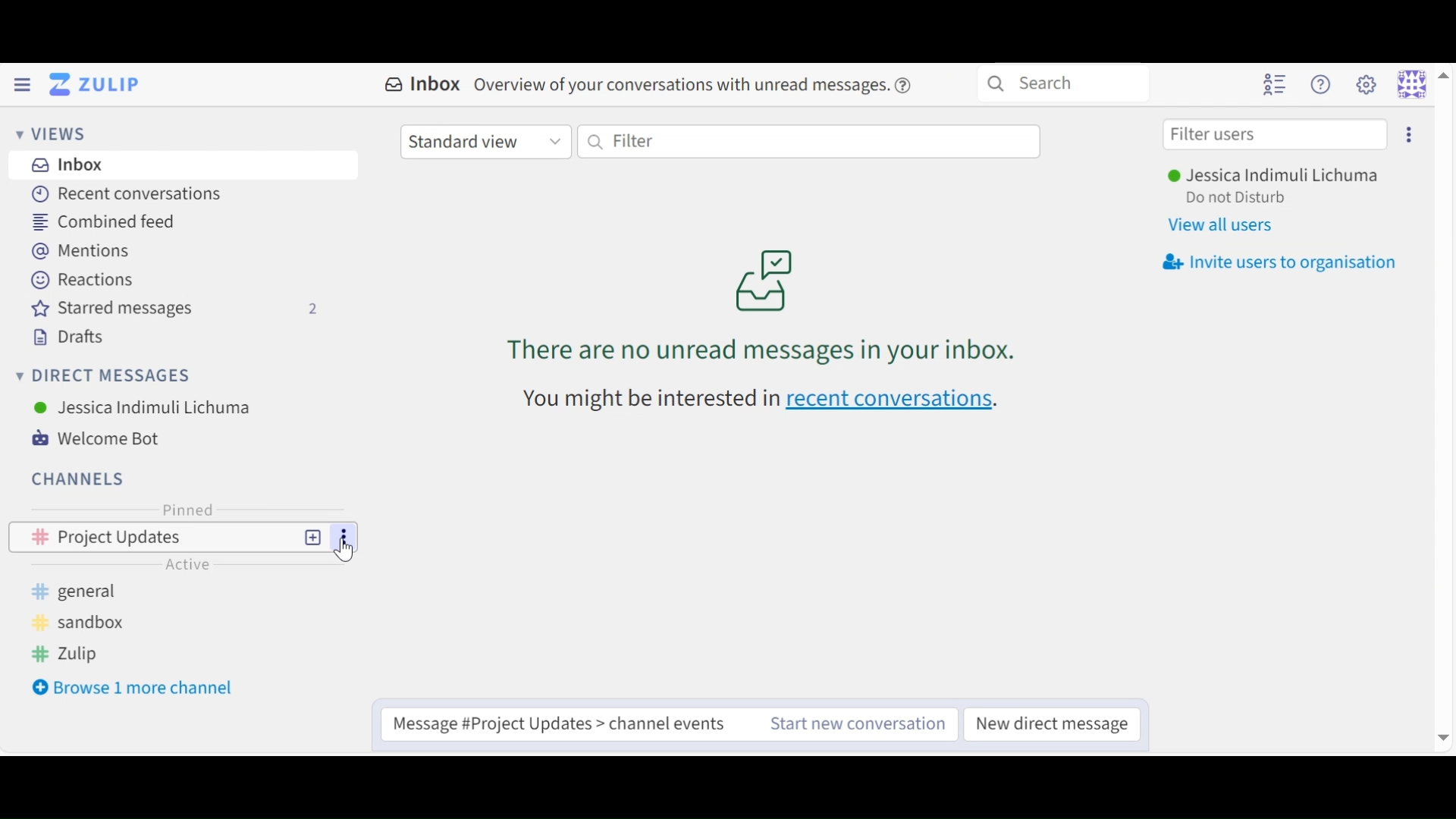  Describe the element at coordinates (108, 221) in the screenshot. I see `Combined Feed` at that location.